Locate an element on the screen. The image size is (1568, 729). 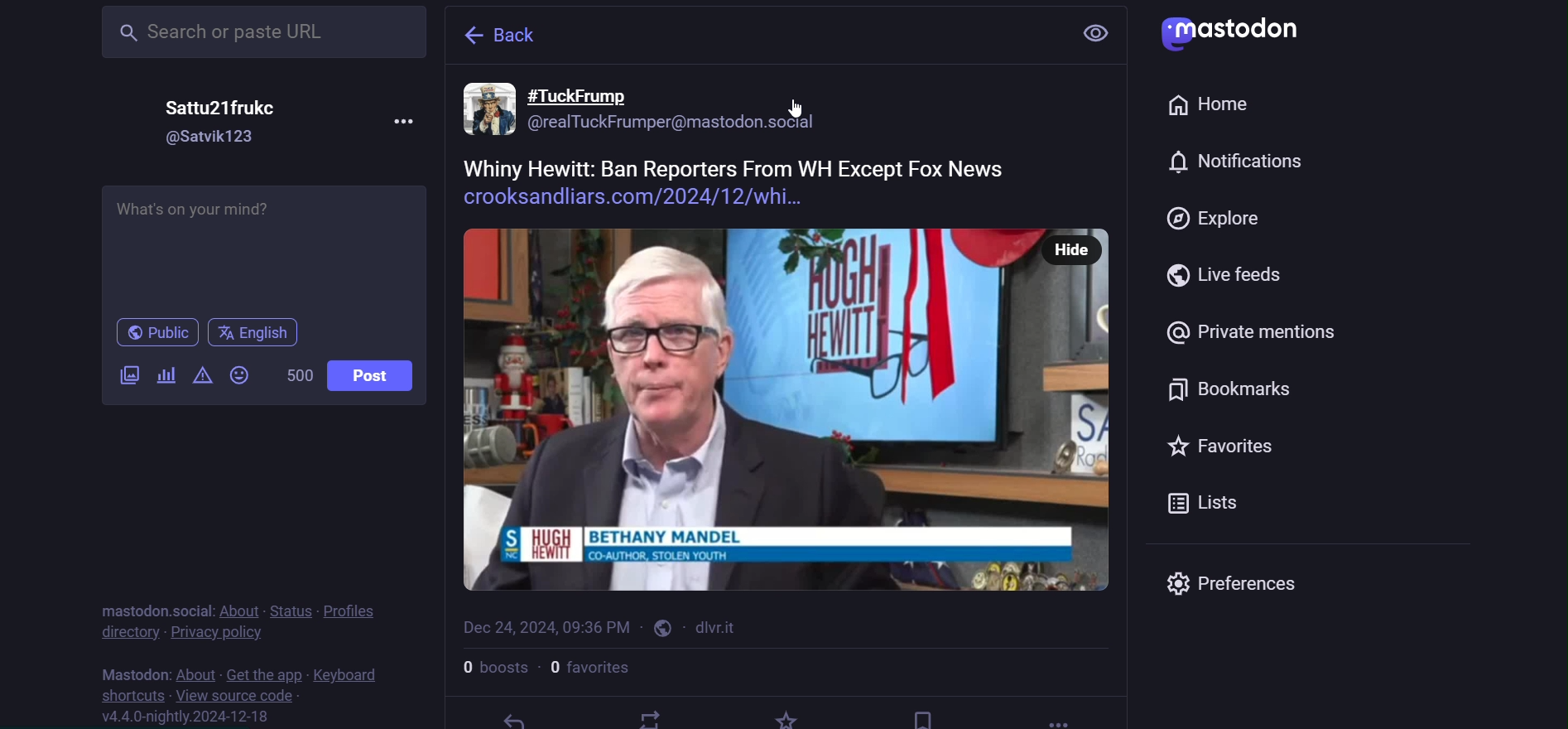
view is located at coordinates (1099, 33).